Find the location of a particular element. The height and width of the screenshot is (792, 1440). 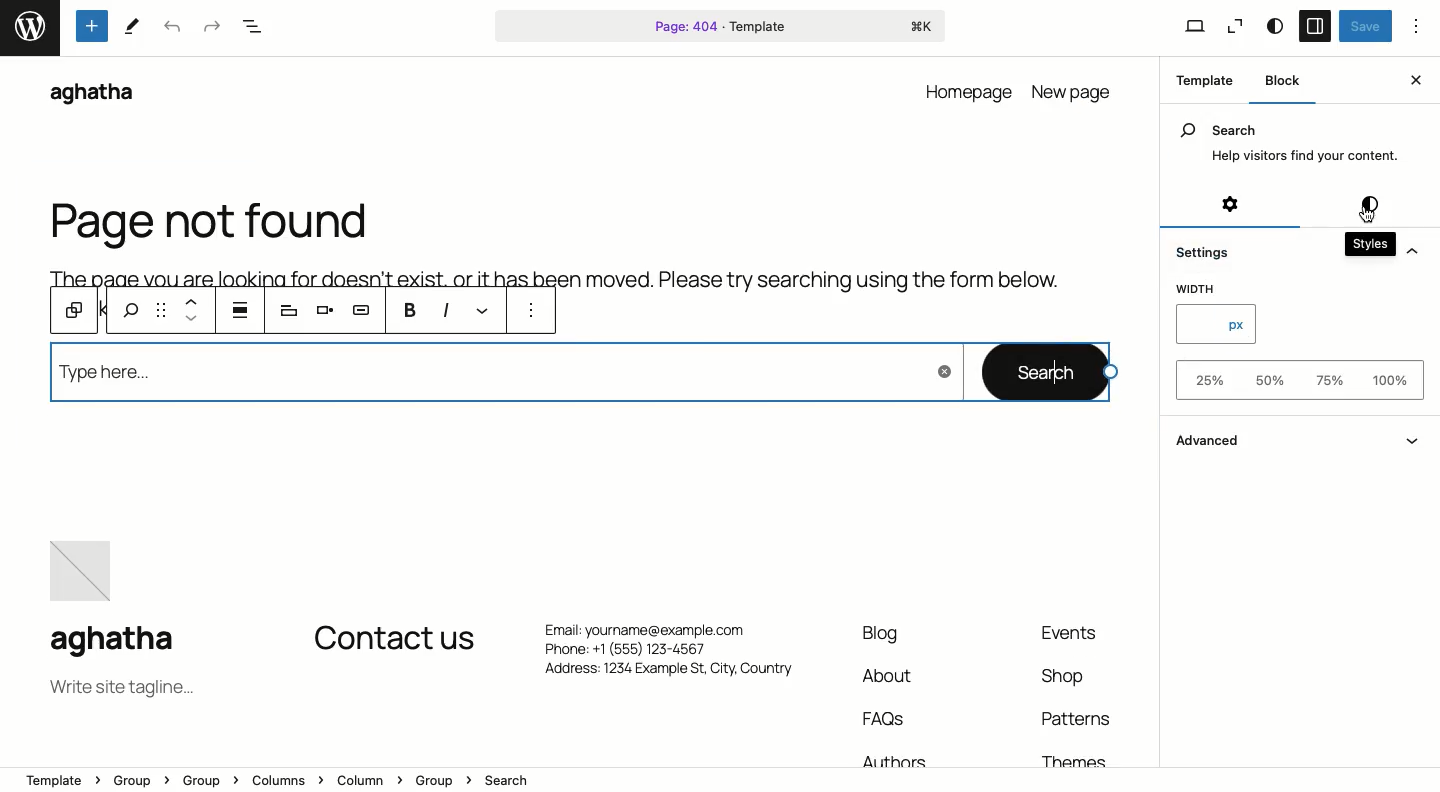

More is located at coordinates (536, 312).